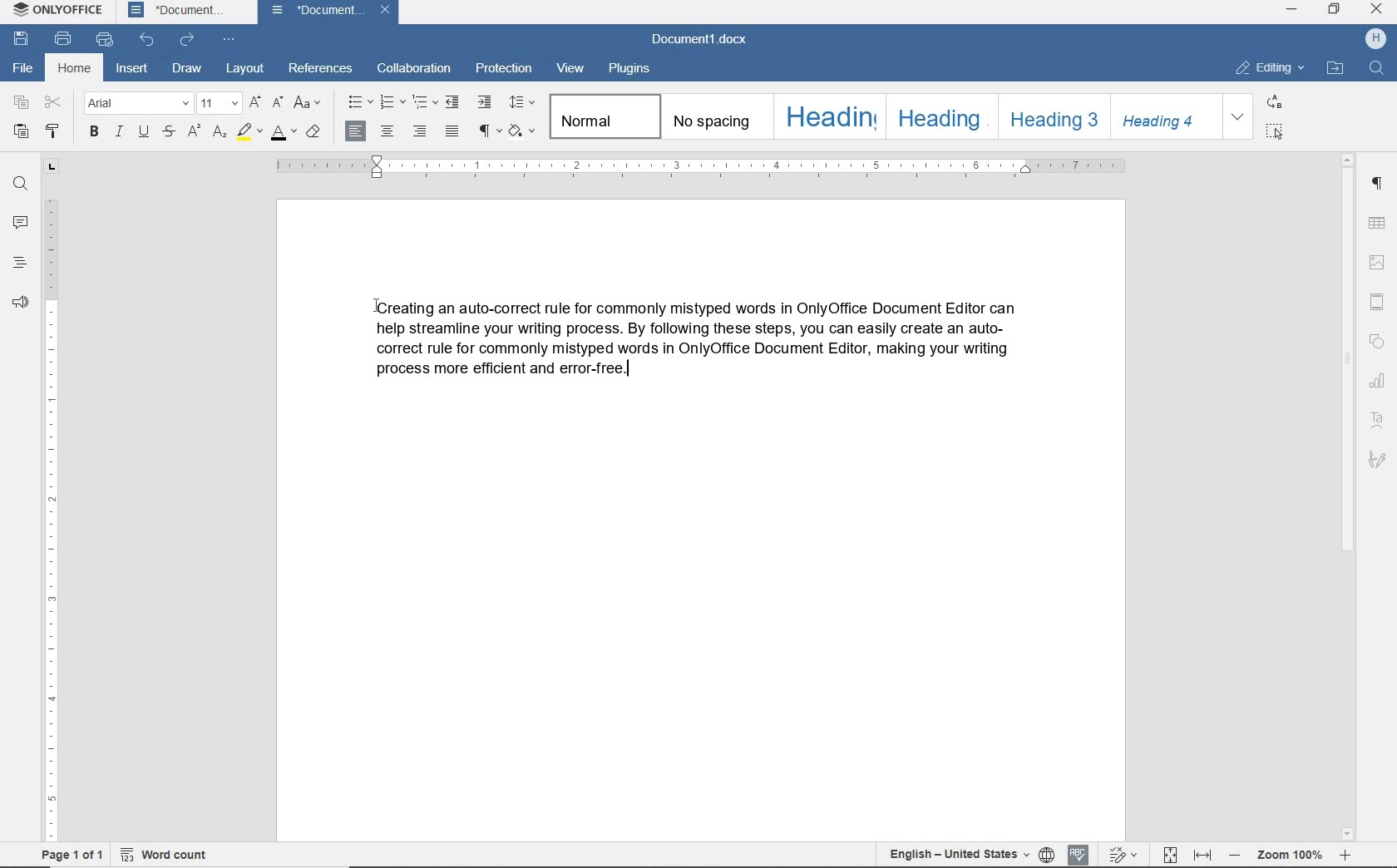 This screenshot has width=1397, height=868. Describe the element at coordinates (1374, 37) in the screenshot. I see `hp` at that location.